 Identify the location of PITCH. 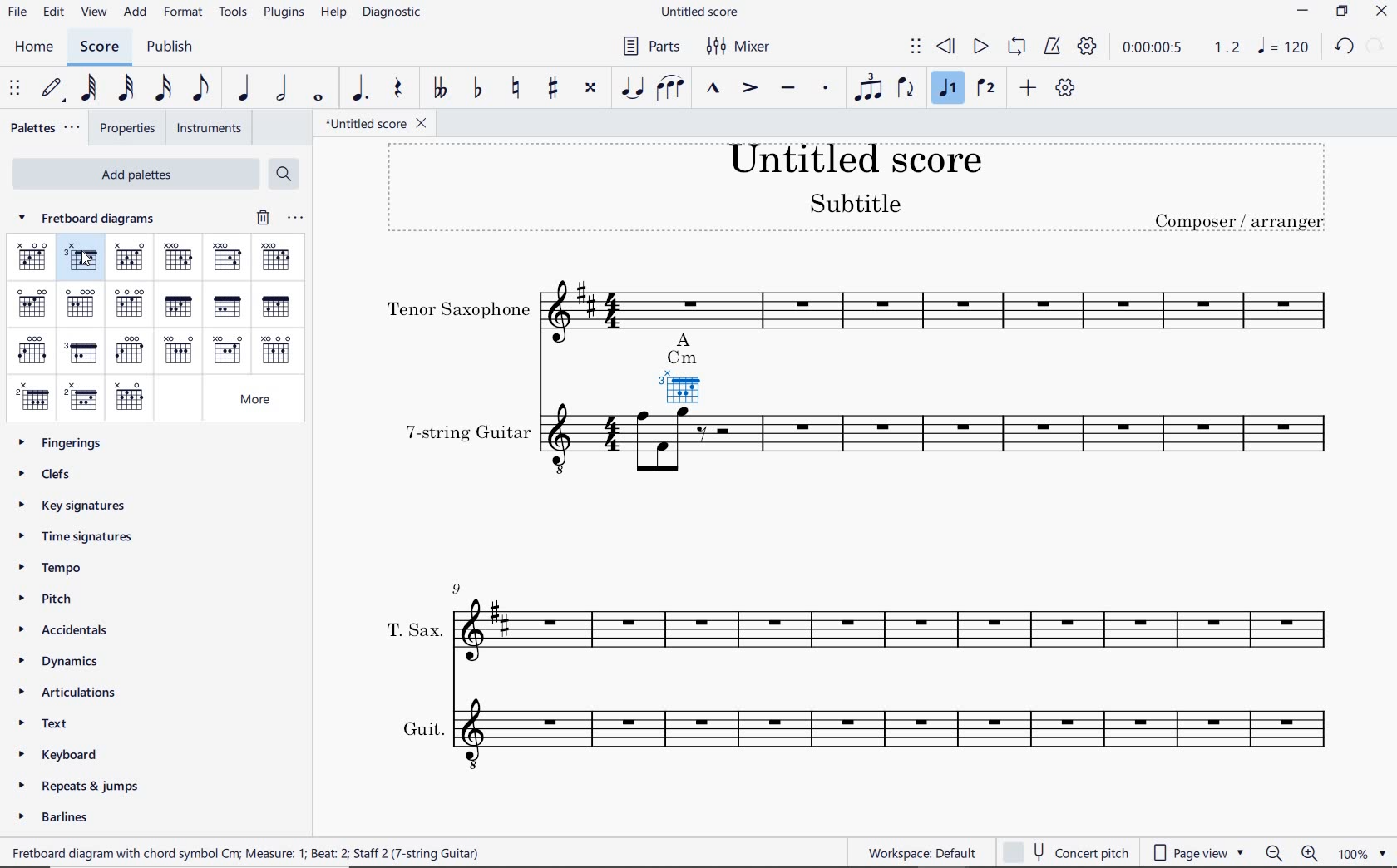
(52, 600).